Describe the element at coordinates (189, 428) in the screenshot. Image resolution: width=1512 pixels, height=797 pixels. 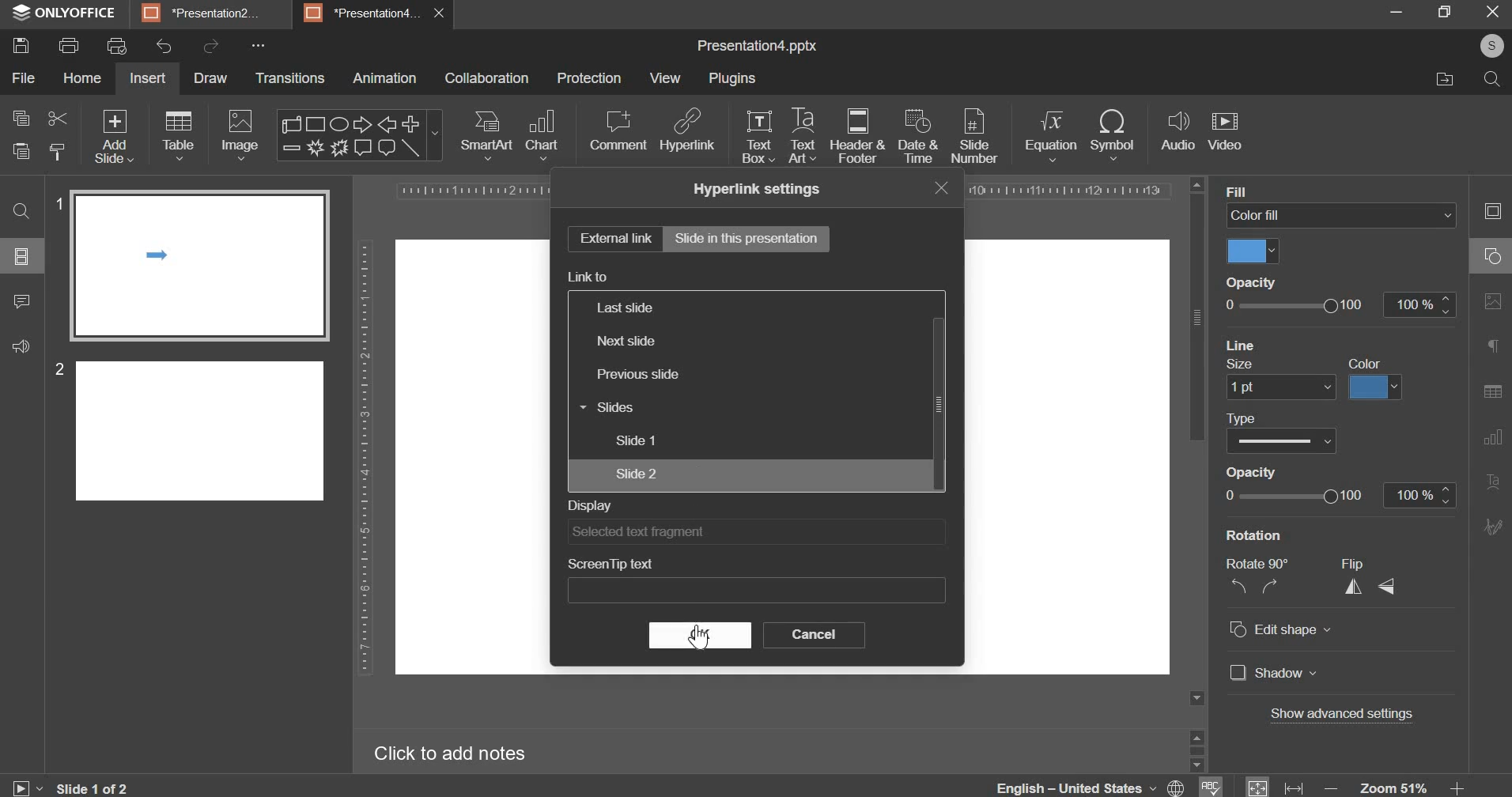
I see `slide 2` at that location.